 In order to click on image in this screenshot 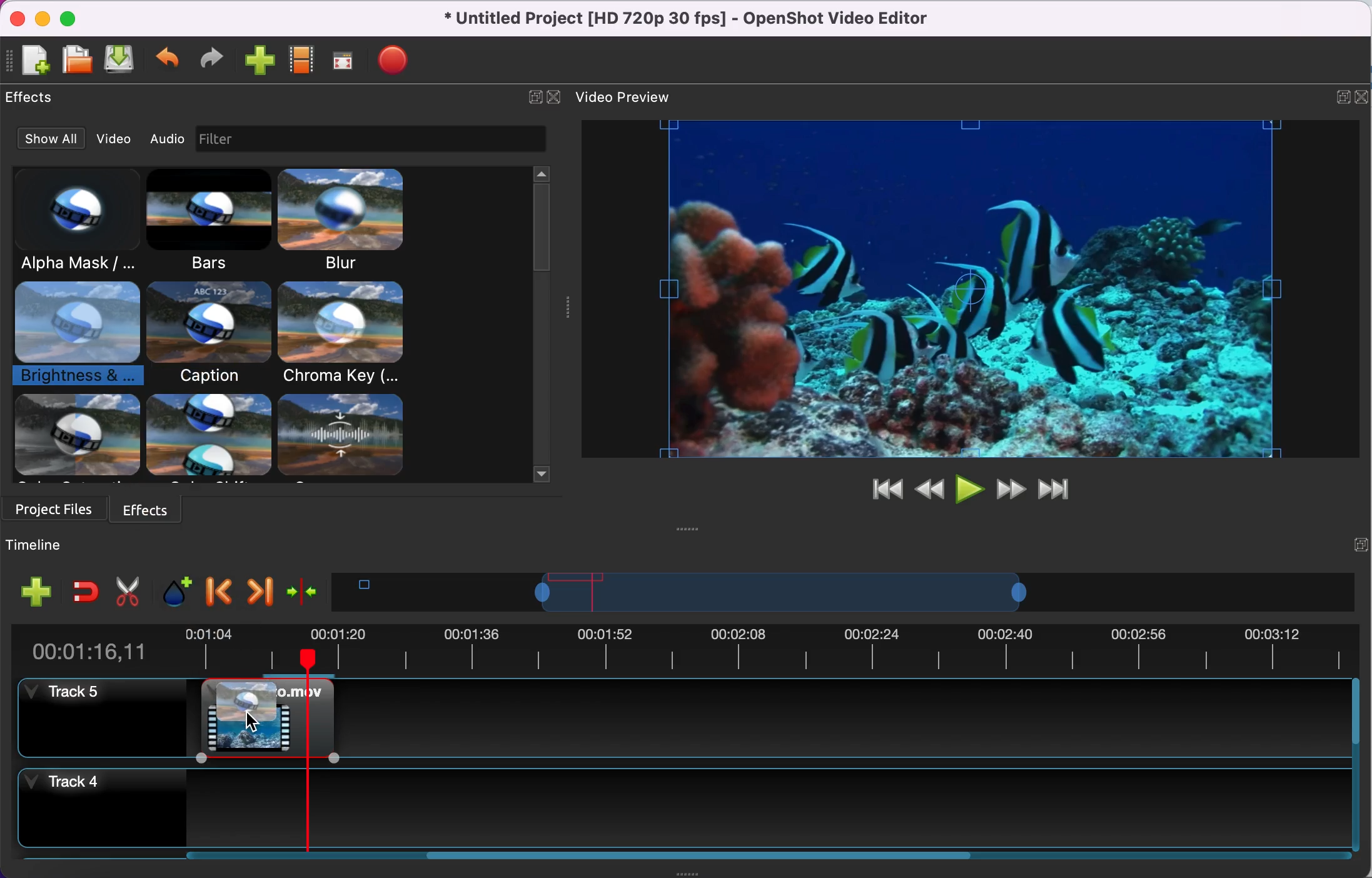, I will do `click(219, 139)`.